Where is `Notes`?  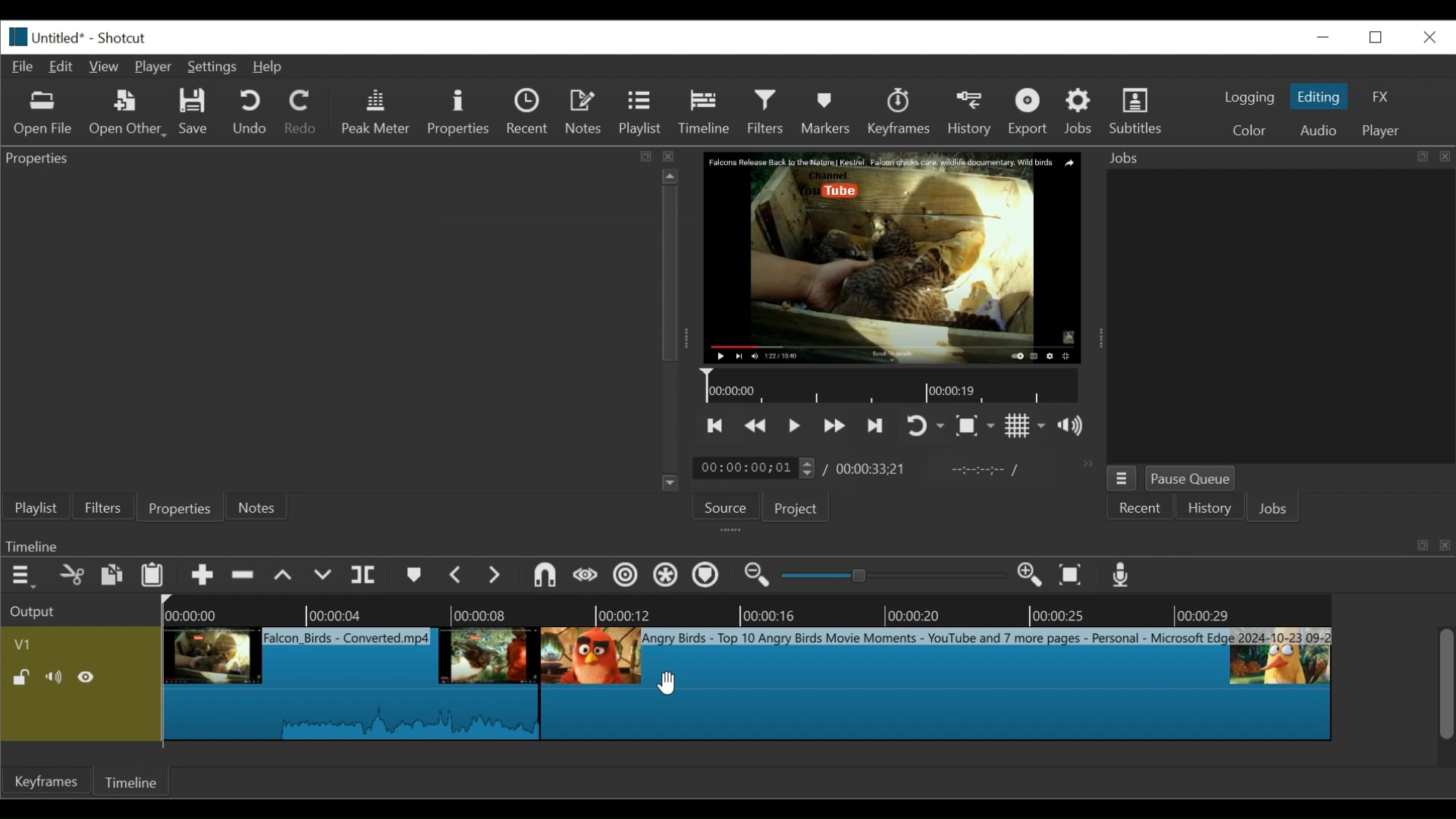
Notes is located at coordinates (258, 507).